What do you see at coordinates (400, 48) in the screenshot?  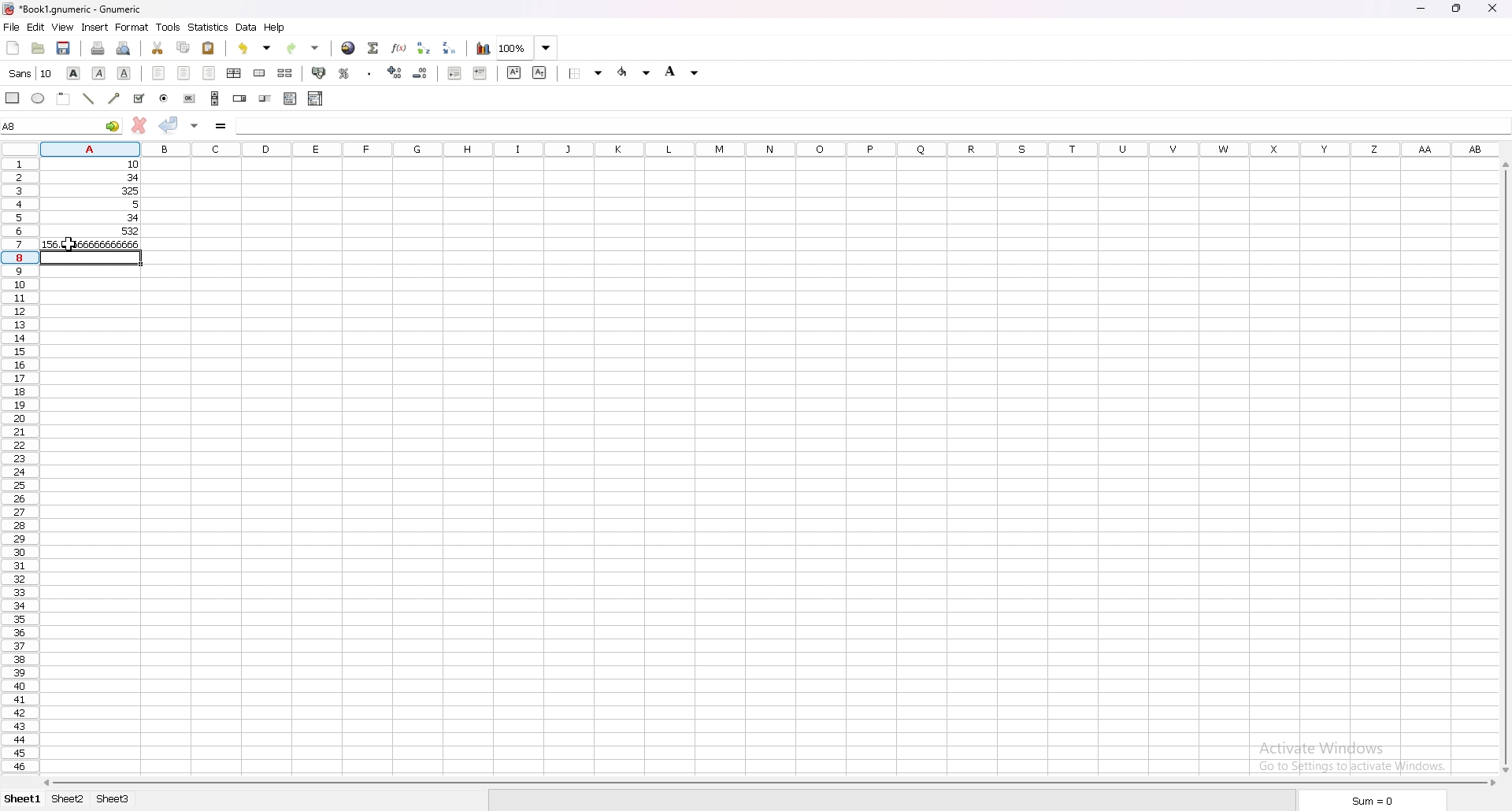 I see `function` at bounding box center [400, 48].